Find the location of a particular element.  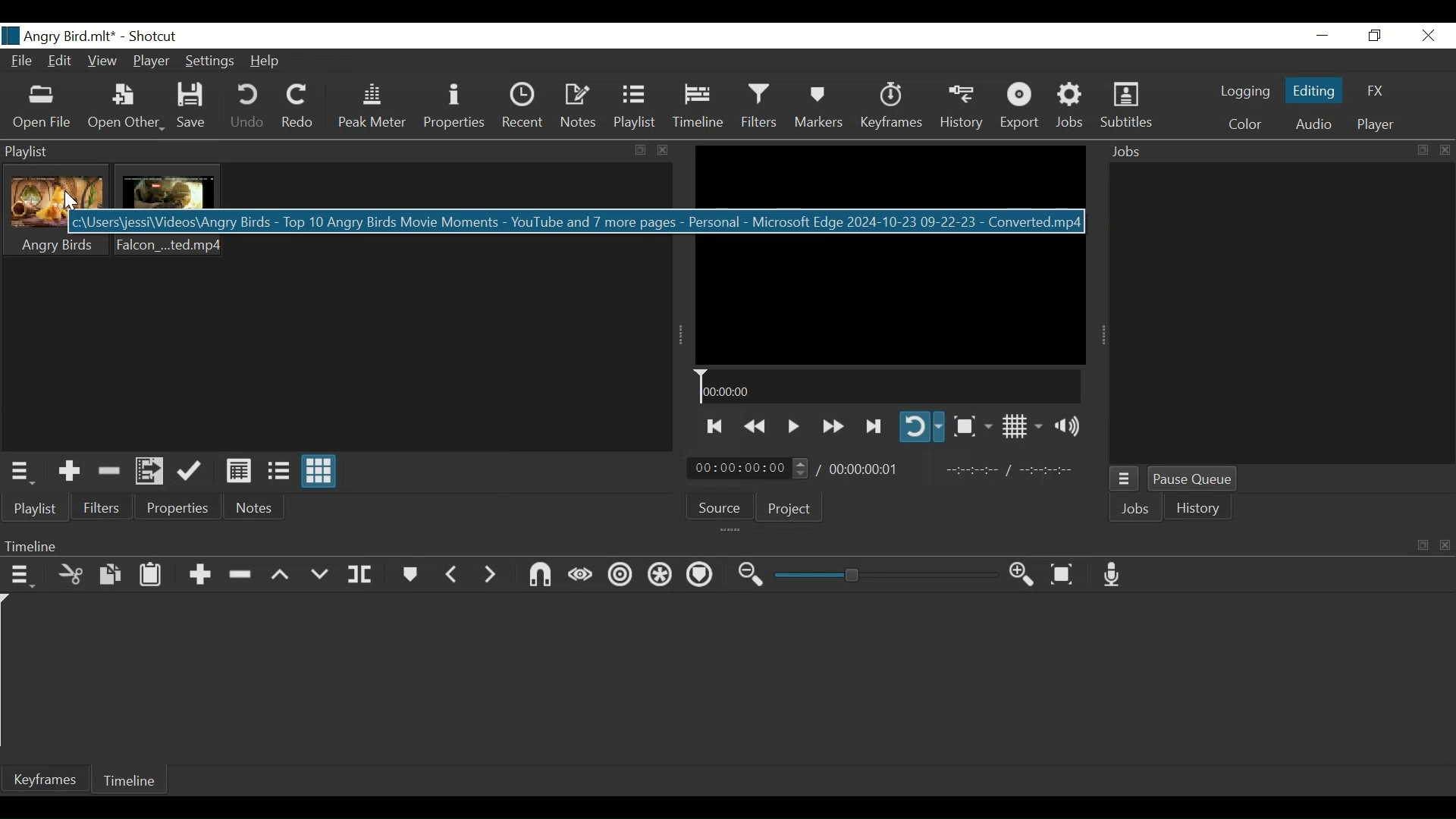

View is located at coordinates (102, 61).